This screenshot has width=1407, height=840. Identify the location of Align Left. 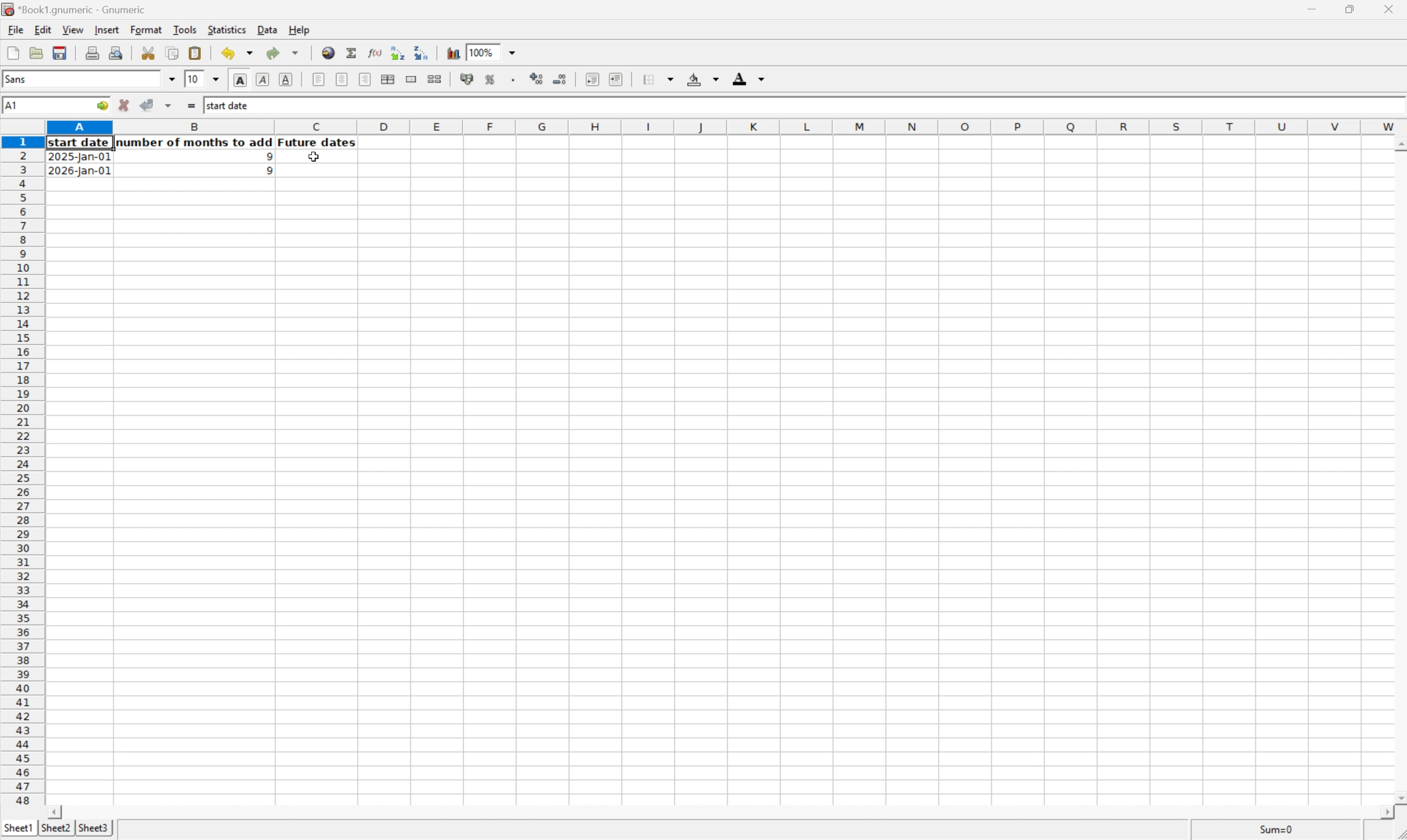
(318, 79).